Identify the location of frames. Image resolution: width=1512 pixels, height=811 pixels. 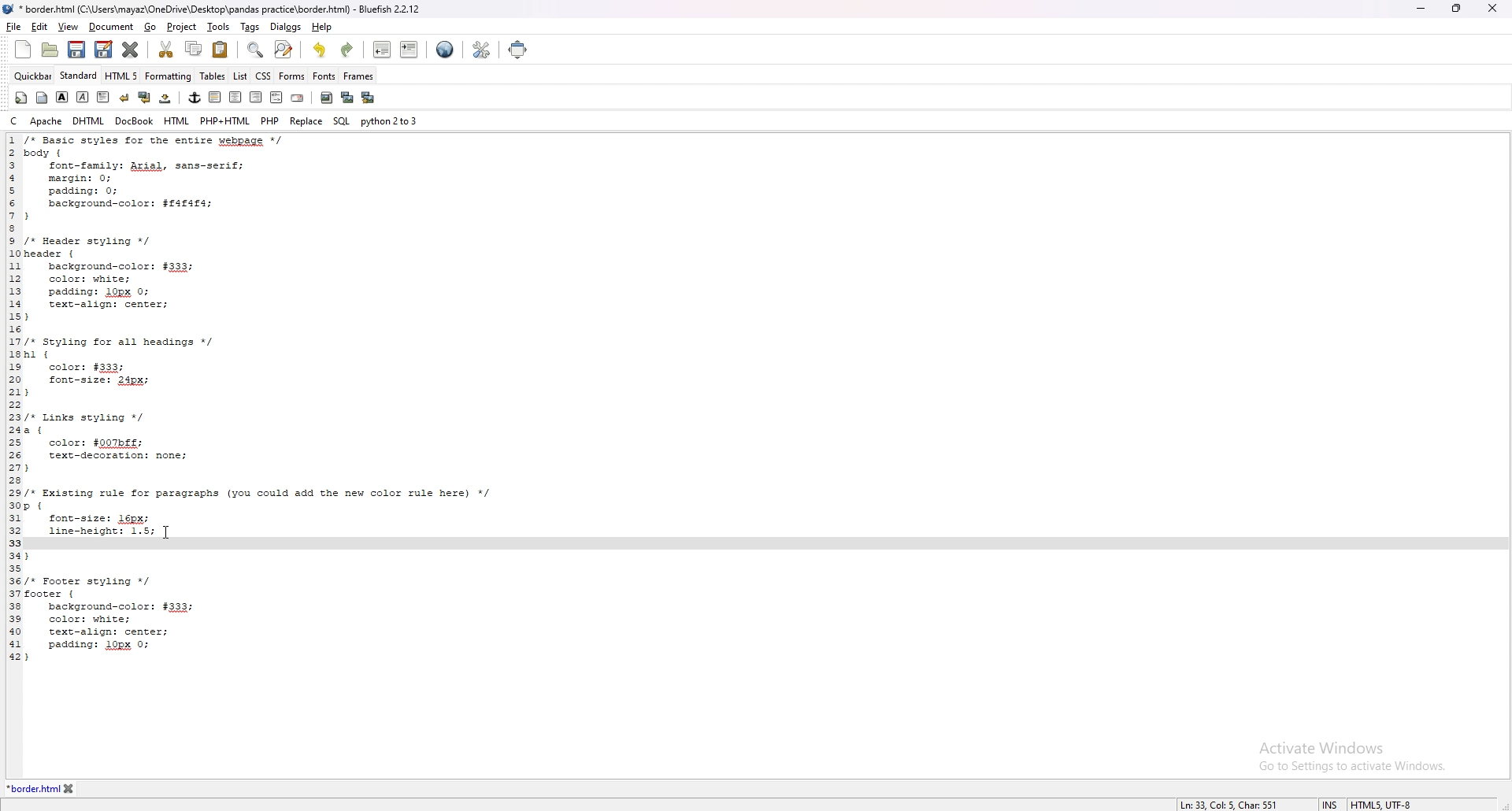
(358, 76).